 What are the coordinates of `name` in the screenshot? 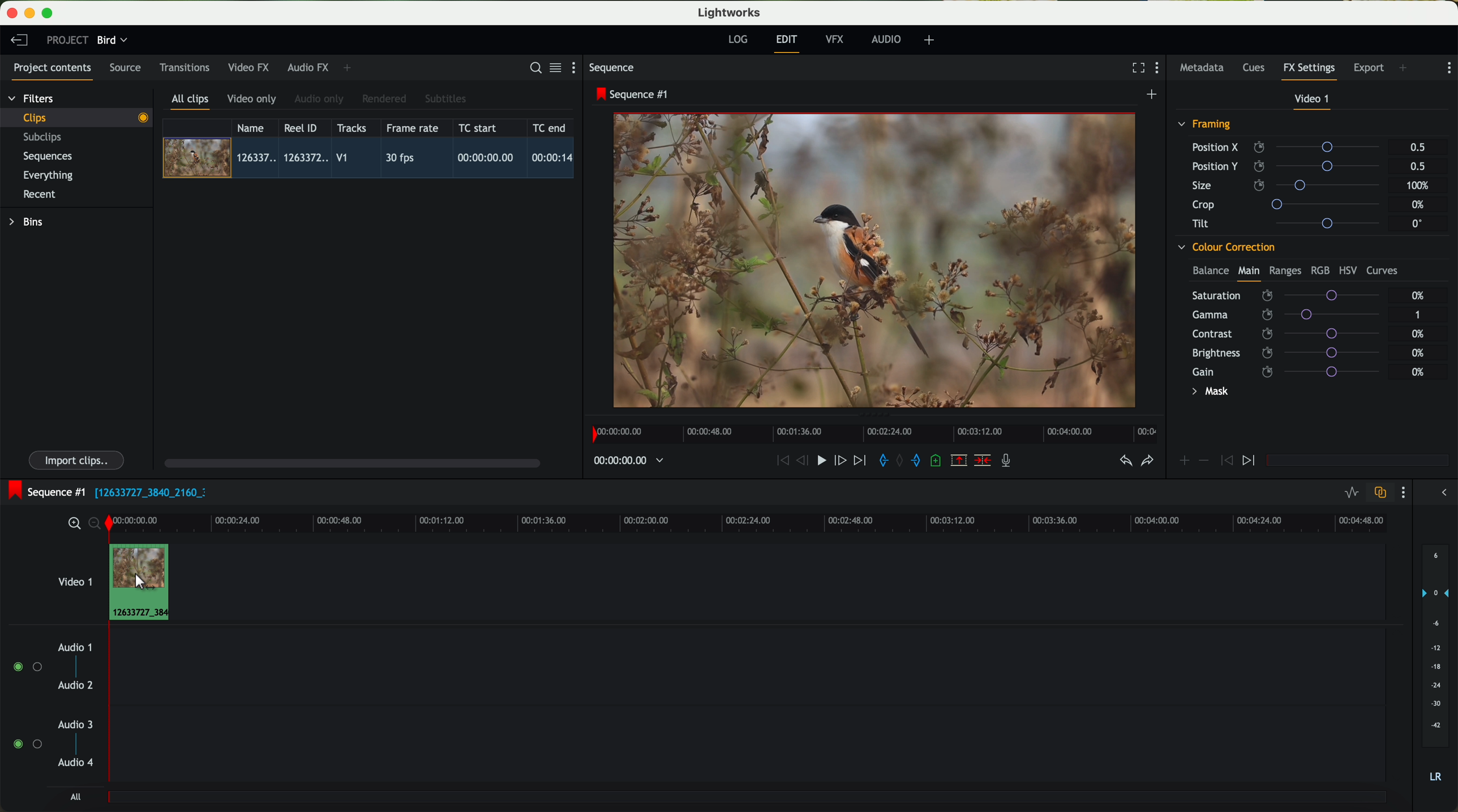 It's located at (255, 128).